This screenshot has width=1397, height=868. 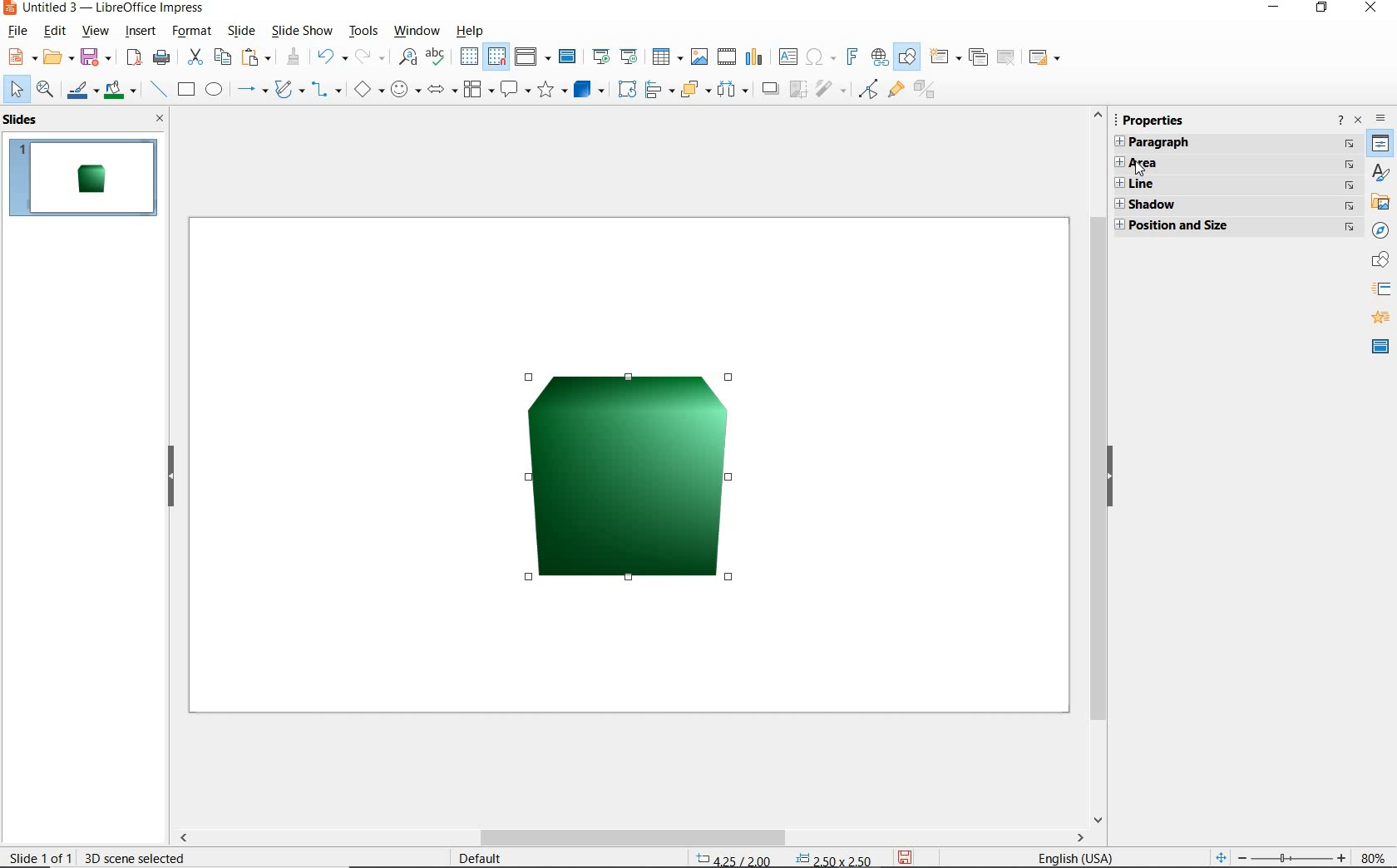 What do you see at coordinates (831, 91) in the screenshot?
I see `FILTER` at bounding box center [831, 91].